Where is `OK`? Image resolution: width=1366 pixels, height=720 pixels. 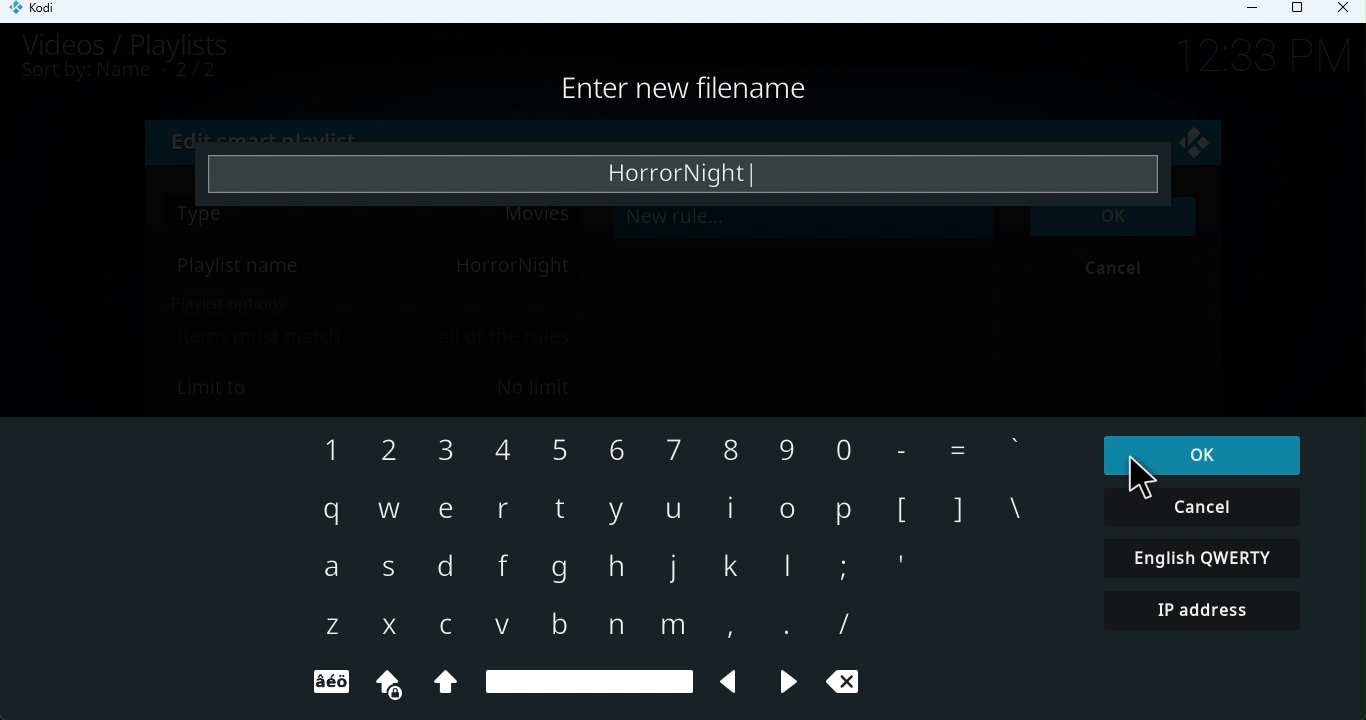 OK is located at coordinates (1199, 454).